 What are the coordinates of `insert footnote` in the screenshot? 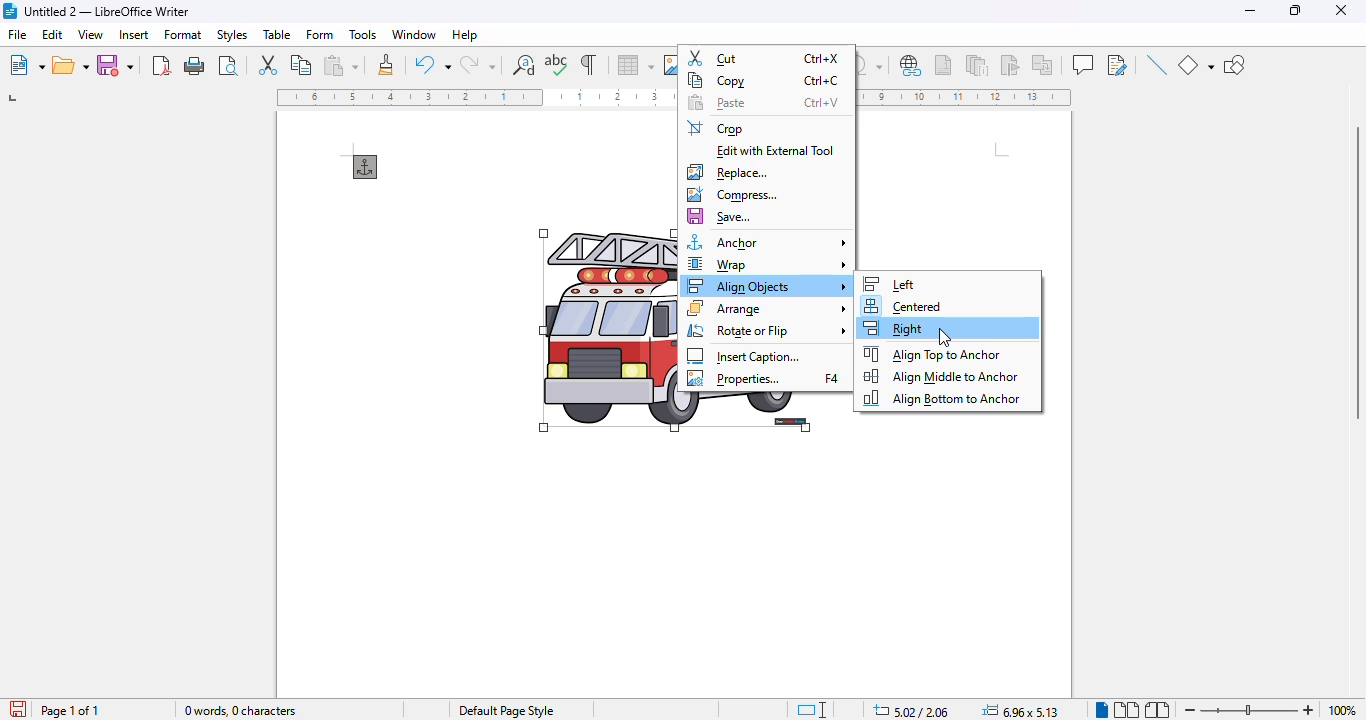 It's located at (943, 65).